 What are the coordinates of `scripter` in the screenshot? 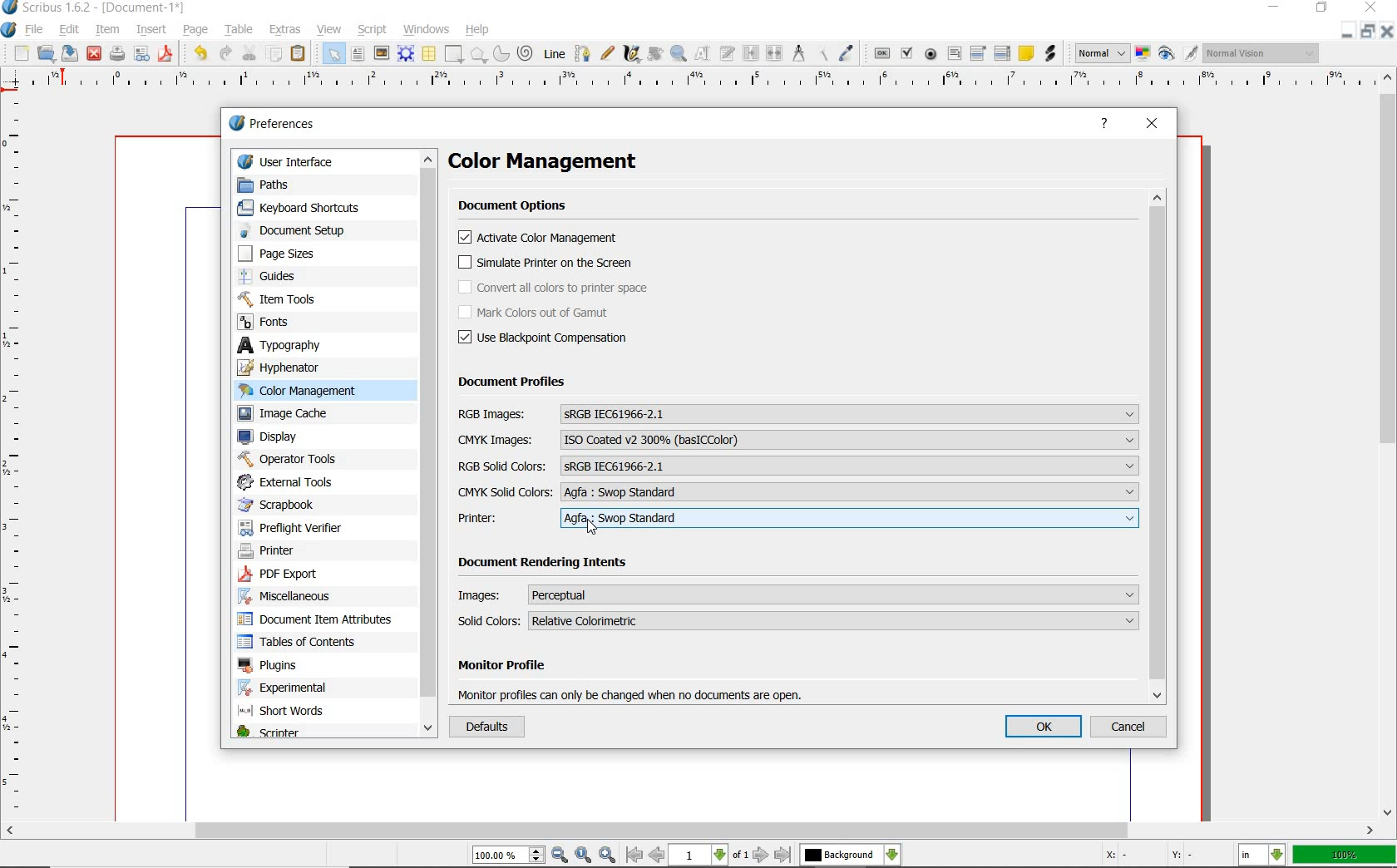 It's located at (287, 732).